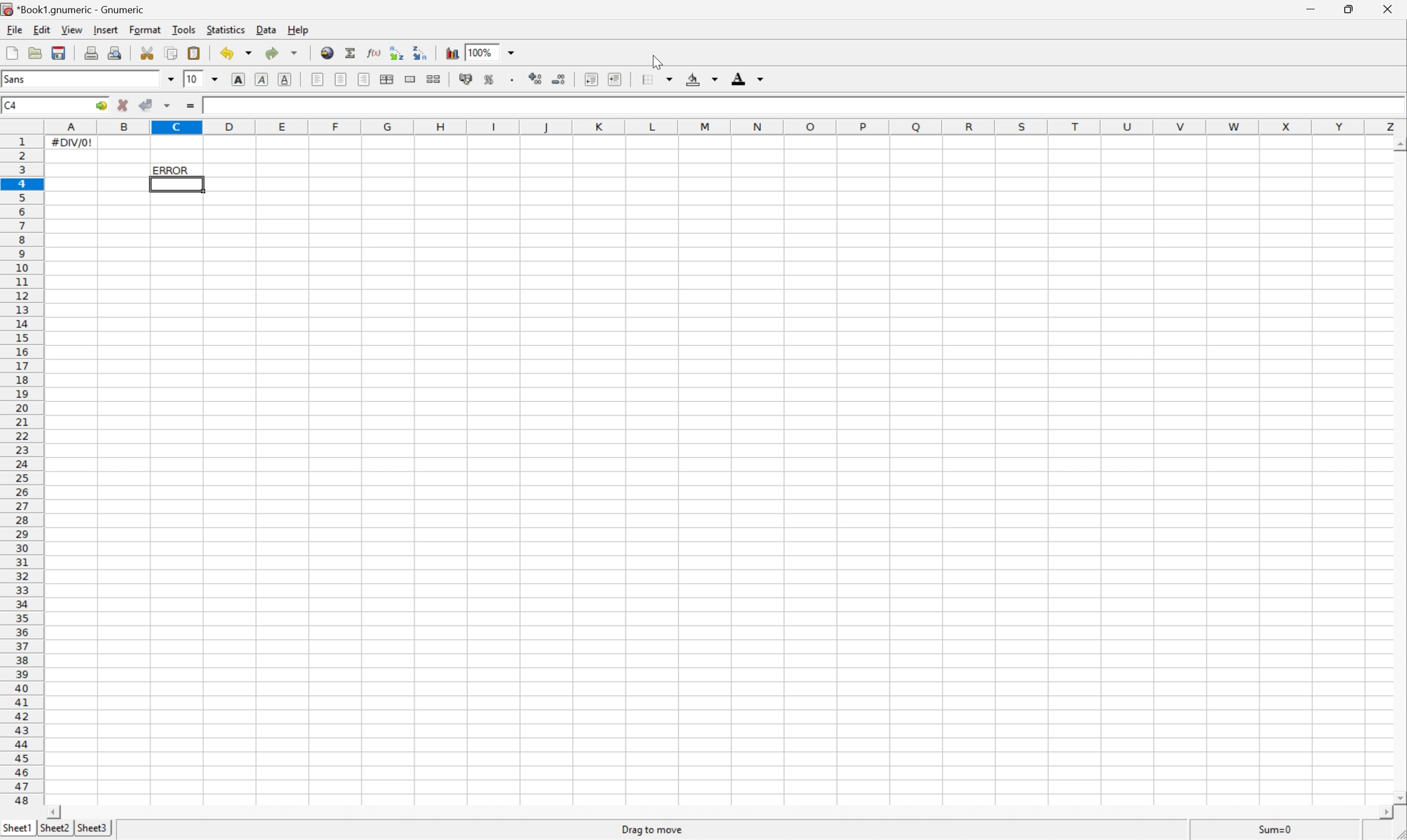 The image size is (1407, 840). Describe the element at coordinates (716, 80) in the screenshot. I see `Drop down` at that location.